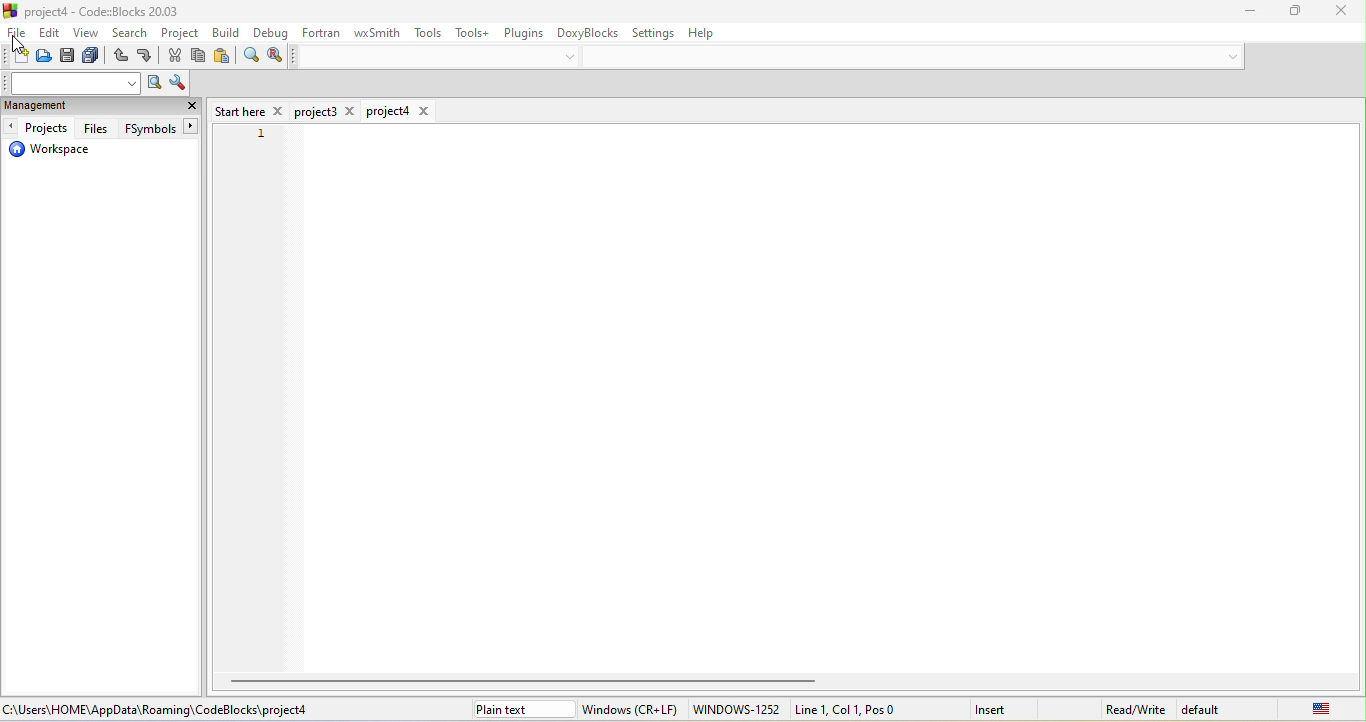 The height and width of the screenshot is (722, 1366). I want to click on insert, so click(1003, 708).